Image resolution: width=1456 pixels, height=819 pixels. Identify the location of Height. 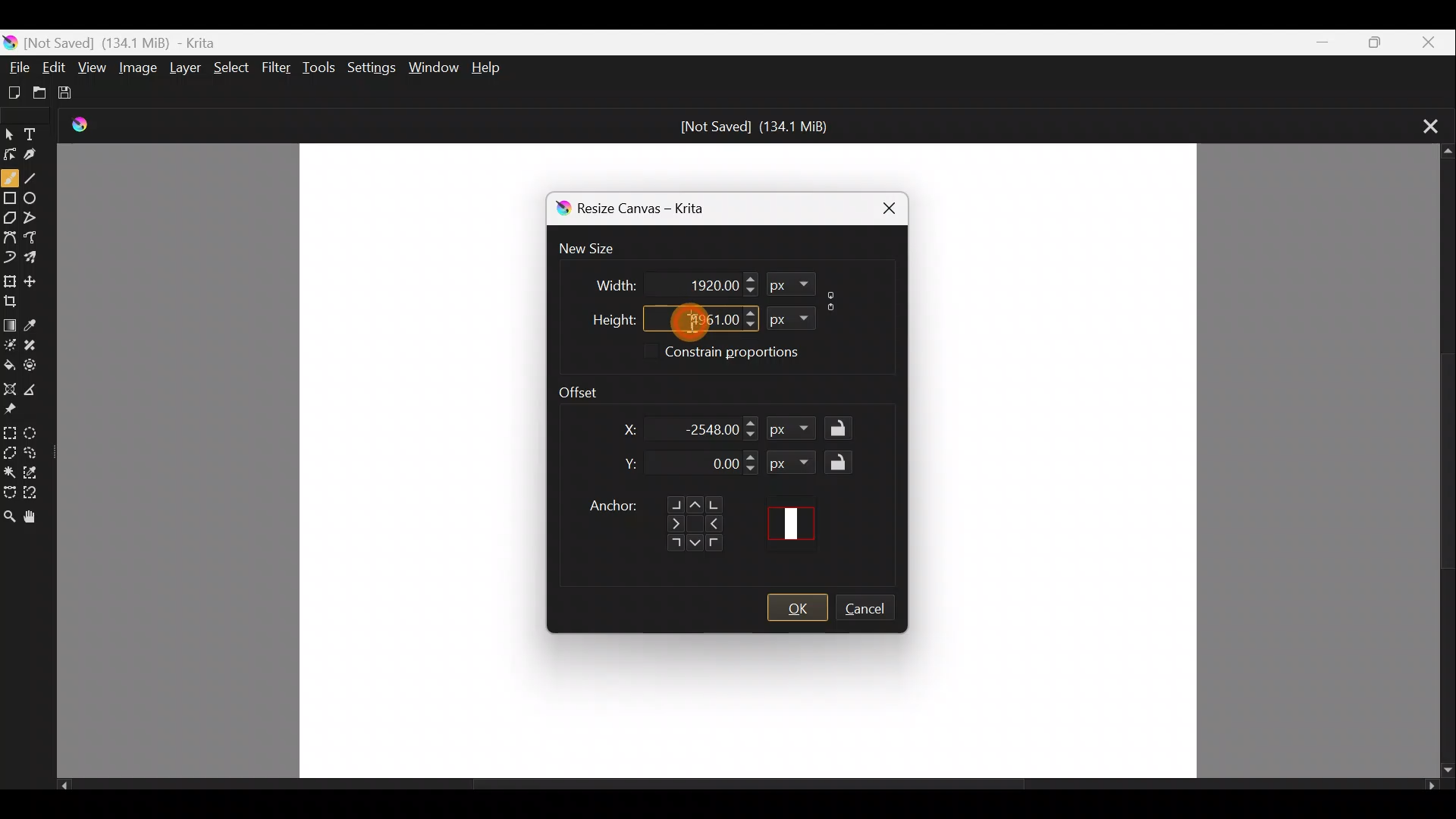
(601, 316).